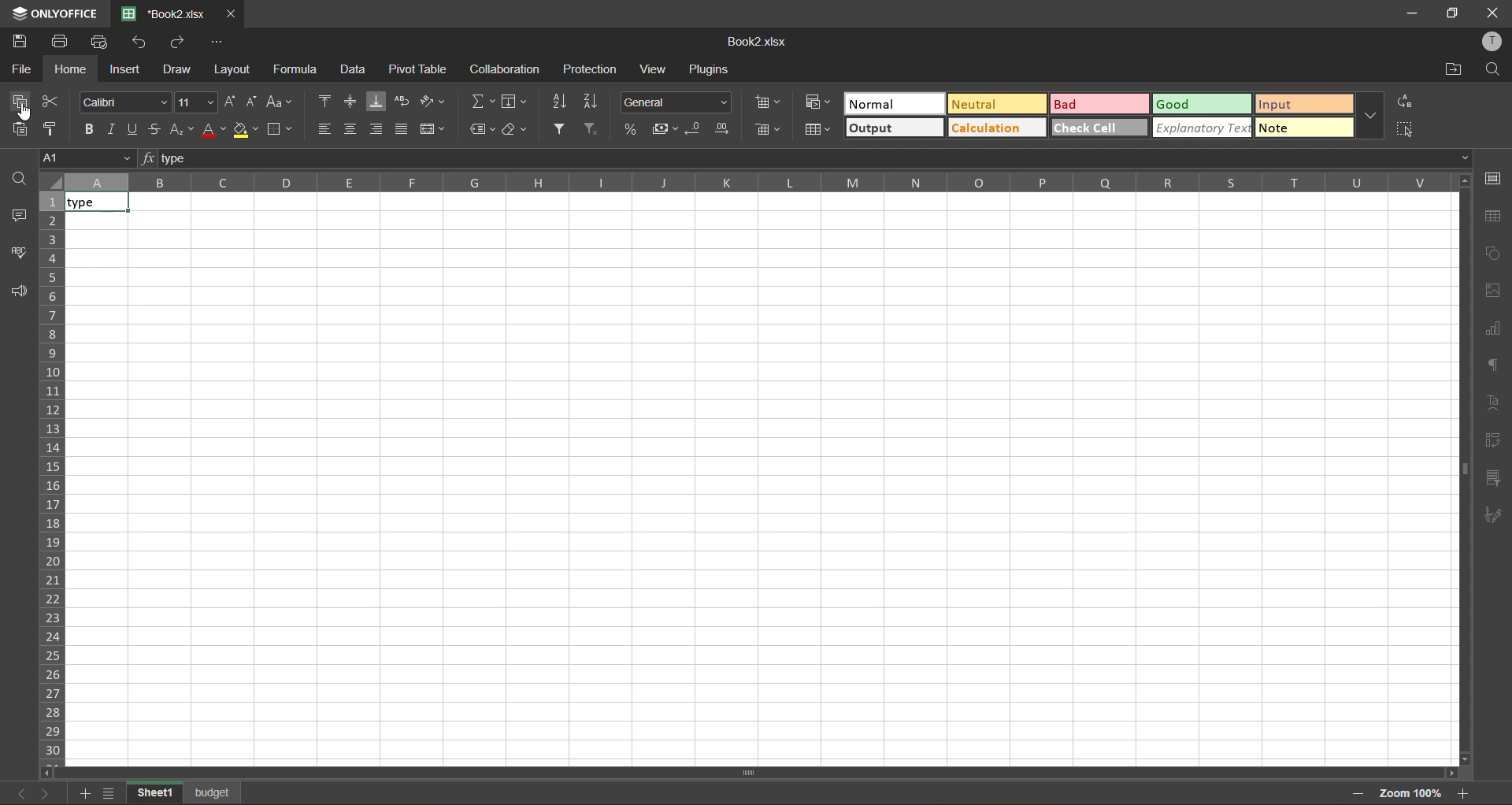 This screenshot has width=1512, height=805. Describe the element at coordinates (1414, 13) in the screenshot. I see `minimize` at that location.